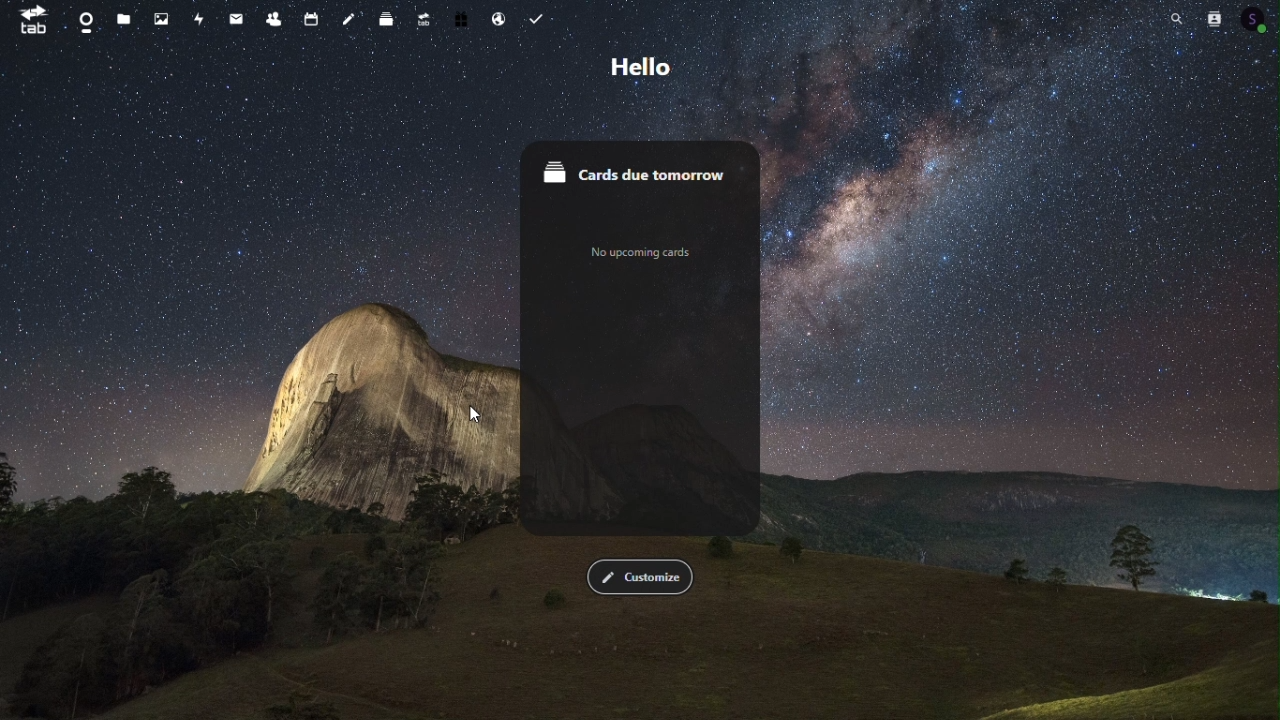  Describe the element at coordinates (347, 16) in the screenshot. I see `Notes` at that location.